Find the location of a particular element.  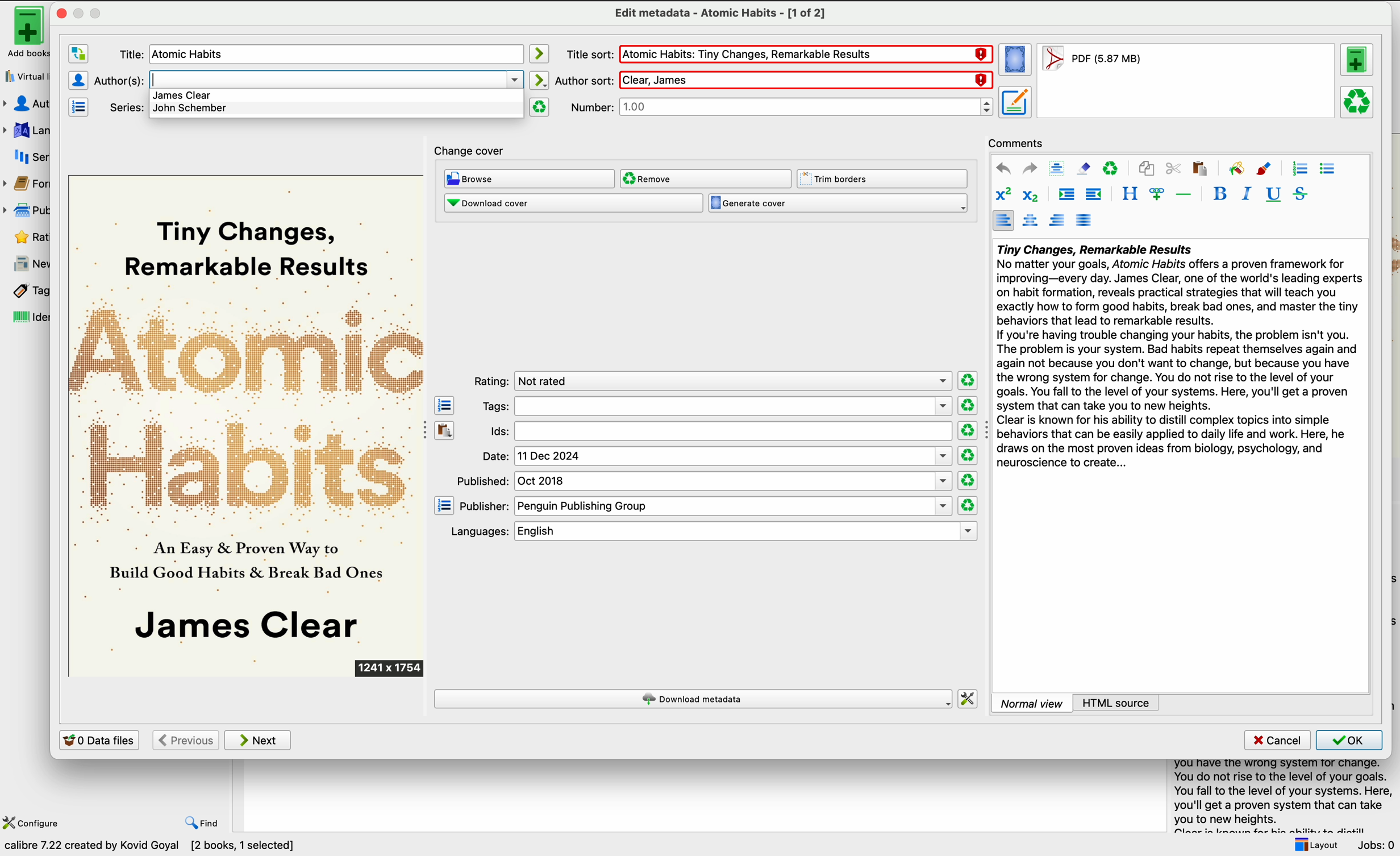

remove the selected format from this book is located at coordinates (1358, 103).